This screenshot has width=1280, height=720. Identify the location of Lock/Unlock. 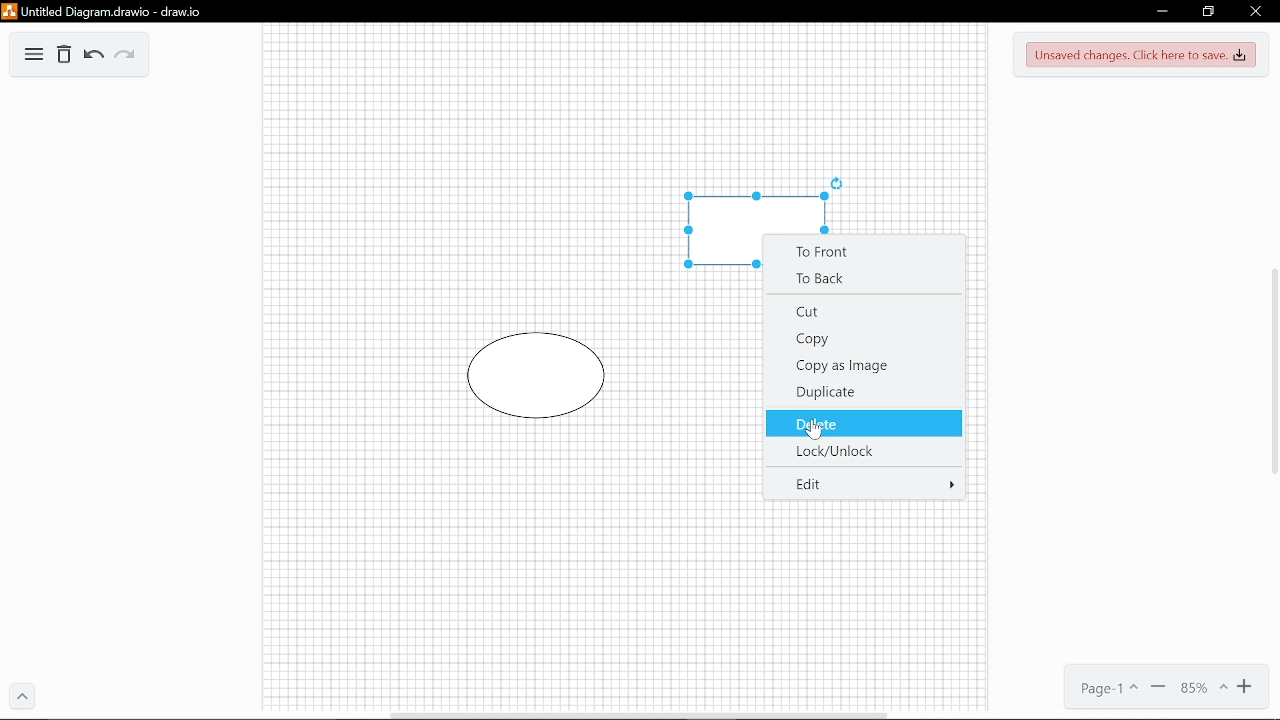
(861, 450).